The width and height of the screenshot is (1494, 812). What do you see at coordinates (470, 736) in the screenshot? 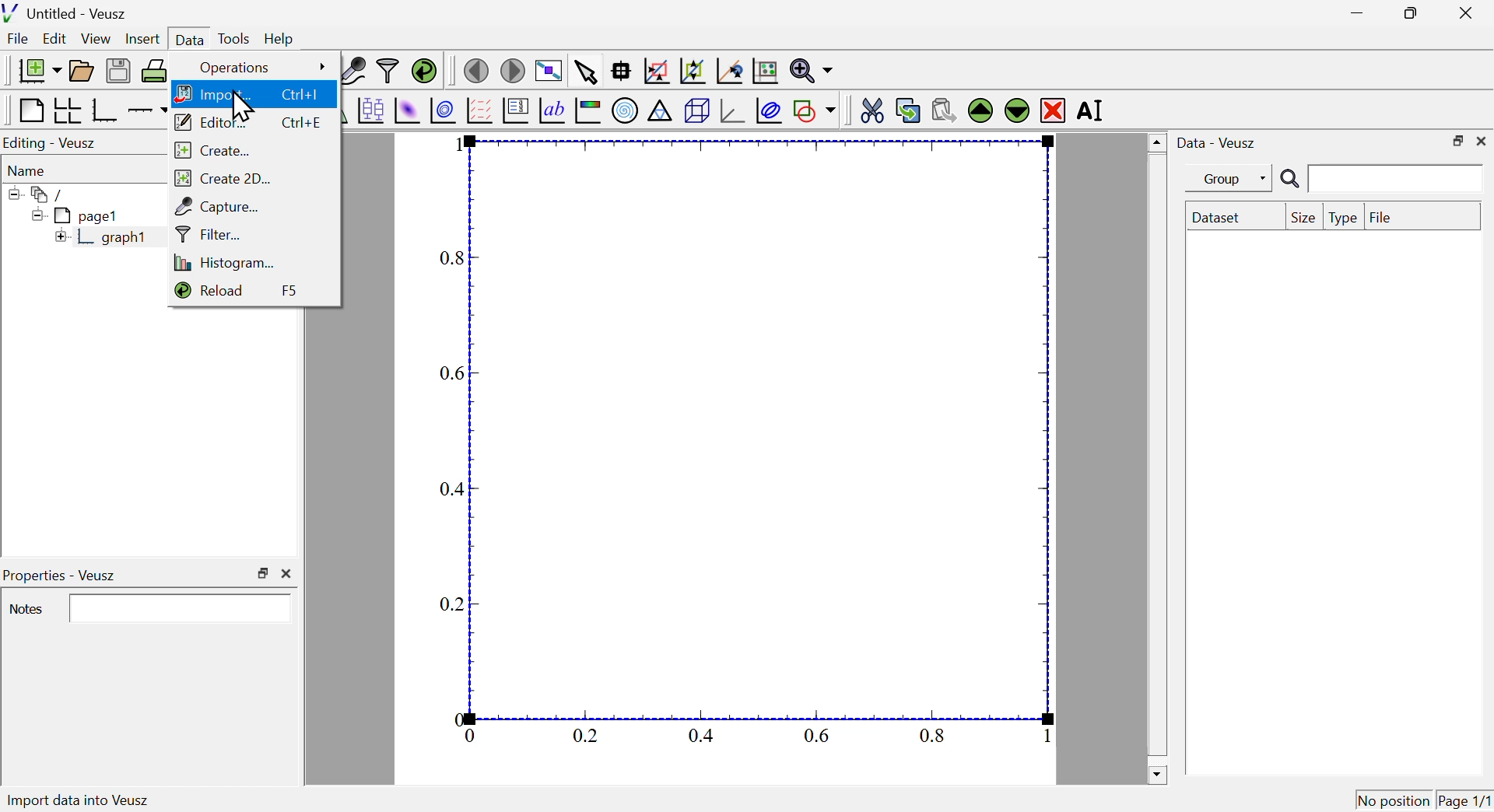
I see `0` at bounding box center [470, 736].